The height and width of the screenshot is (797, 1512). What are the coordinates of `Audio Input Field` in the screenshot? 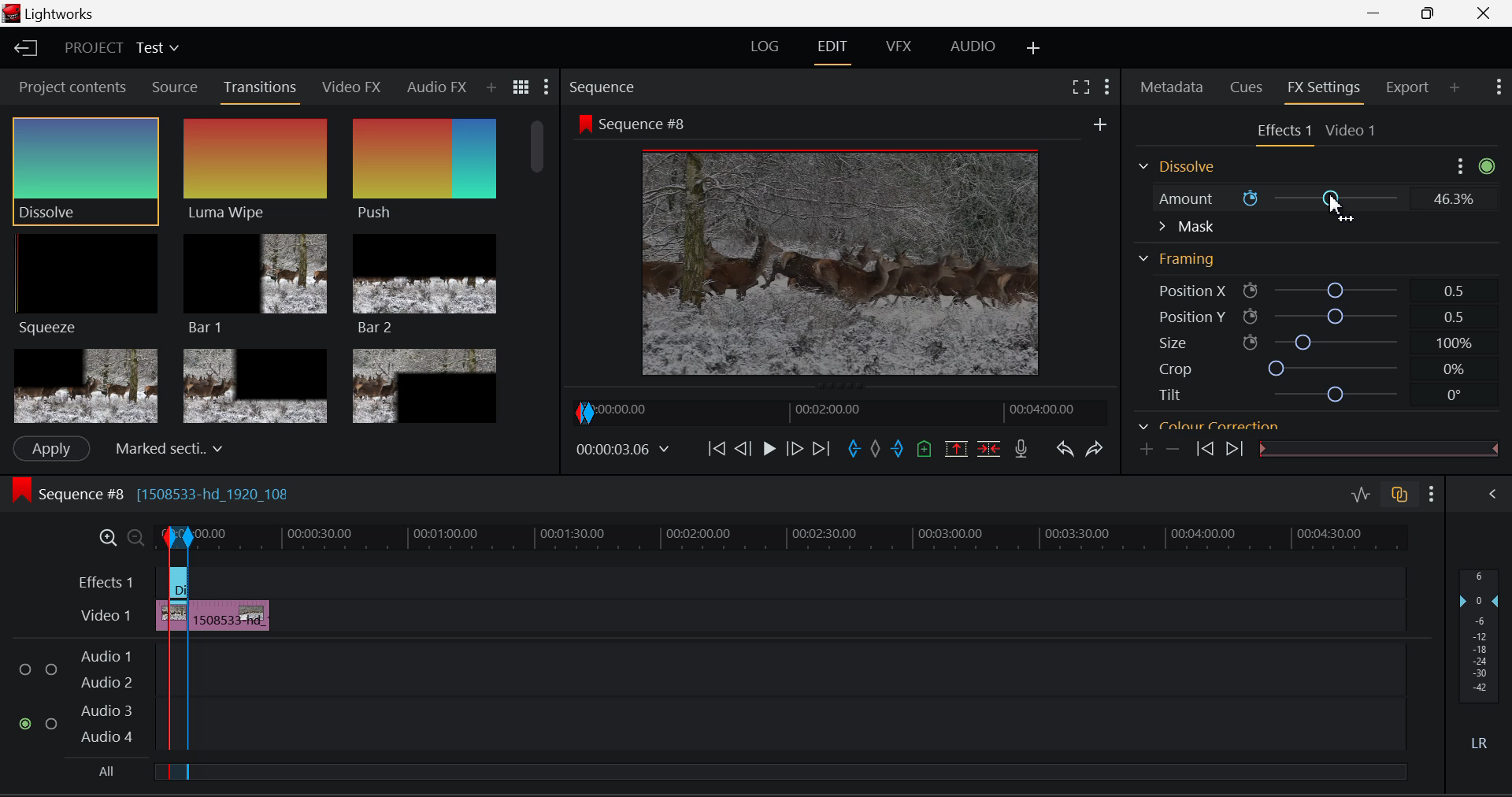 It's located at (798, 724).